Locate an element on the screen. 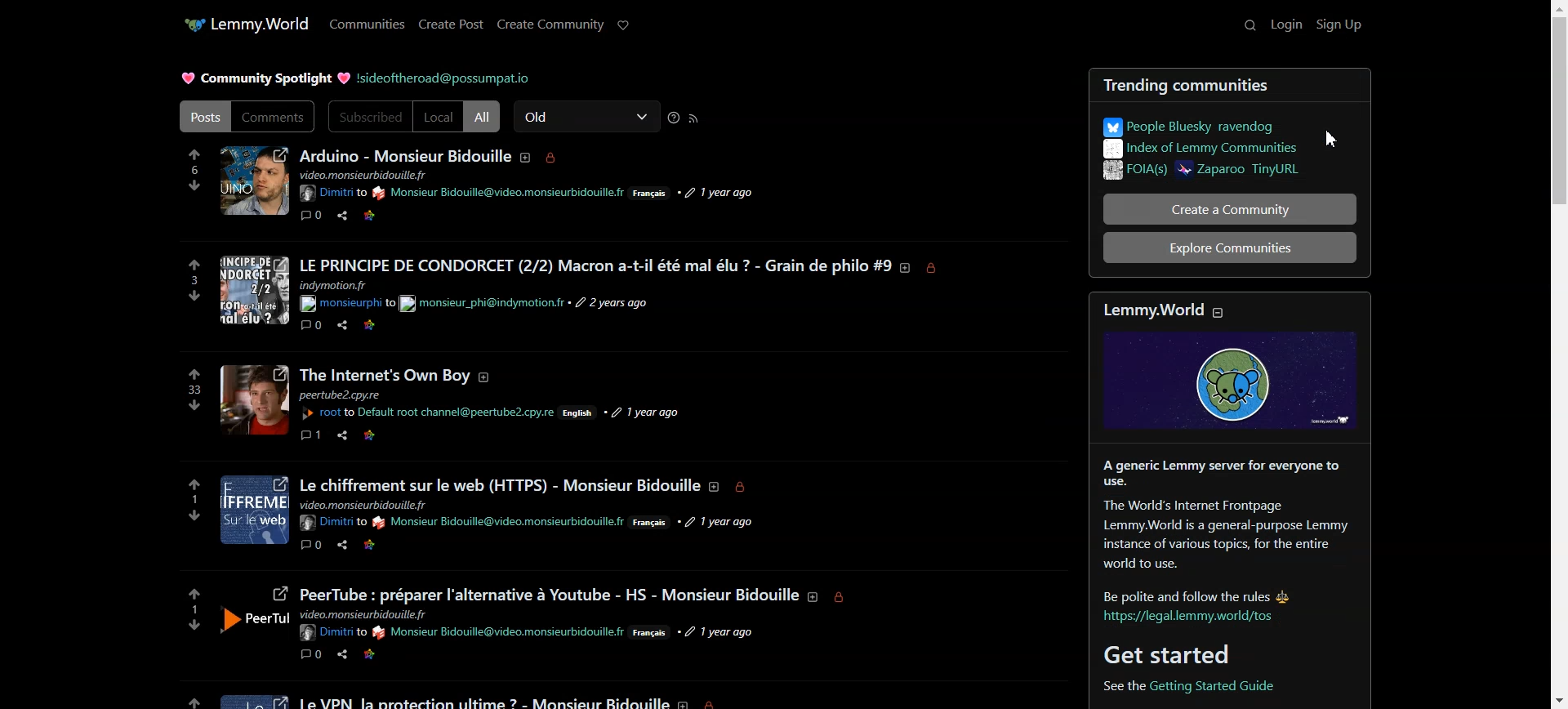 This screenshot has height=709, width=1568. locked is located at coordinates (937, 269).